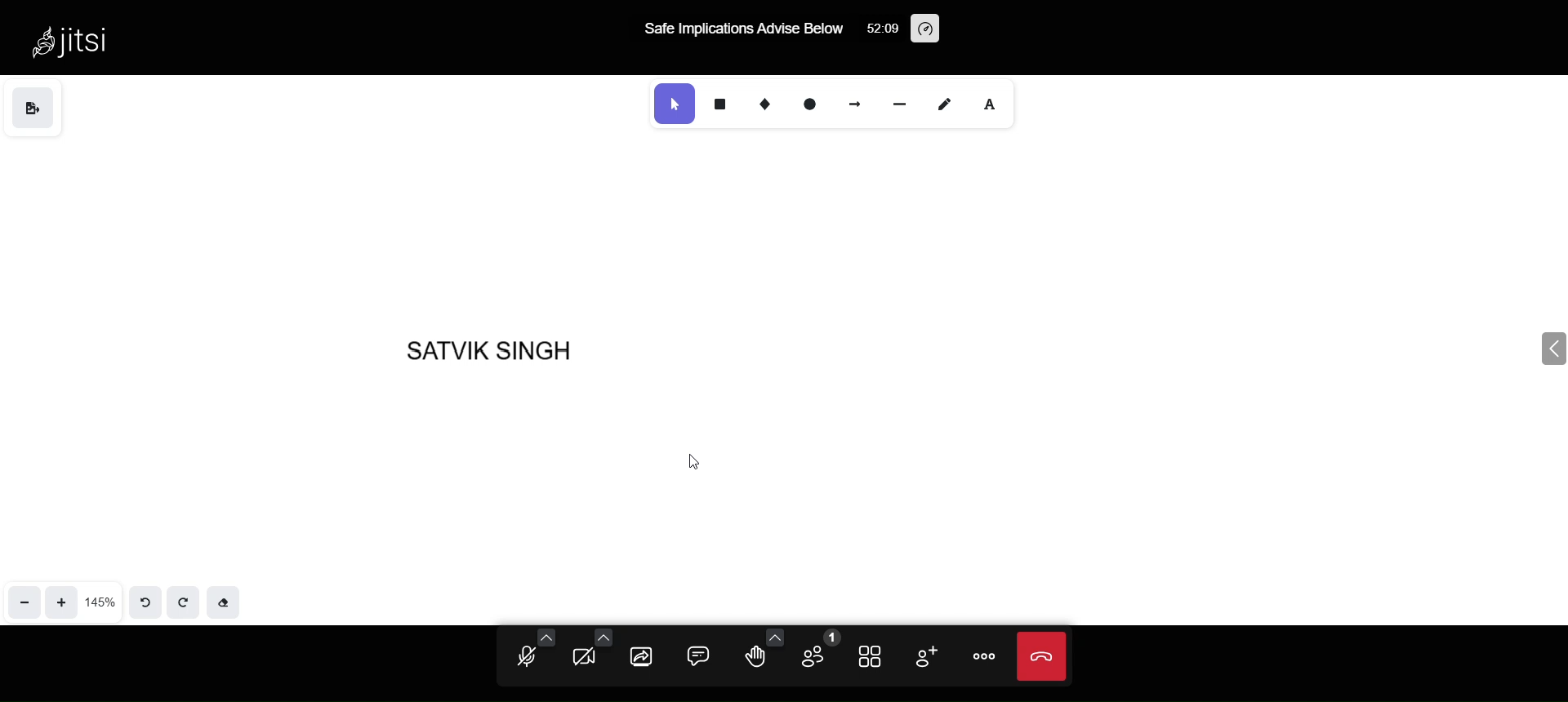 This screenshot has height=702, width=1568. What do you see at coordinates (851, 104) in the screenshot?
I see `arrow` at bounding box center [851, 104].